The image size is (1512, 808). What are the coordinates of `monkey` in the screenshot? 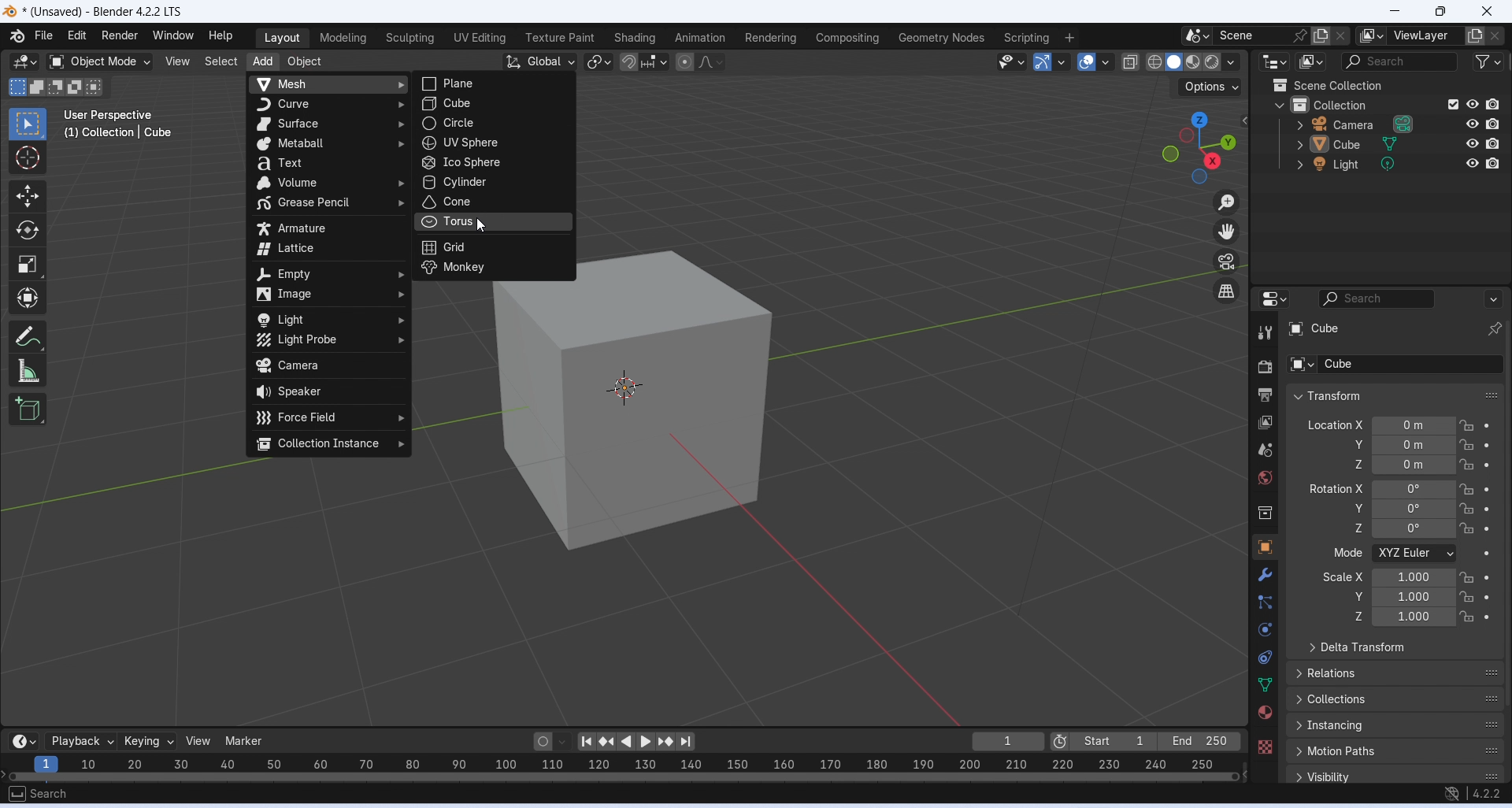 It's located at (491, 269).